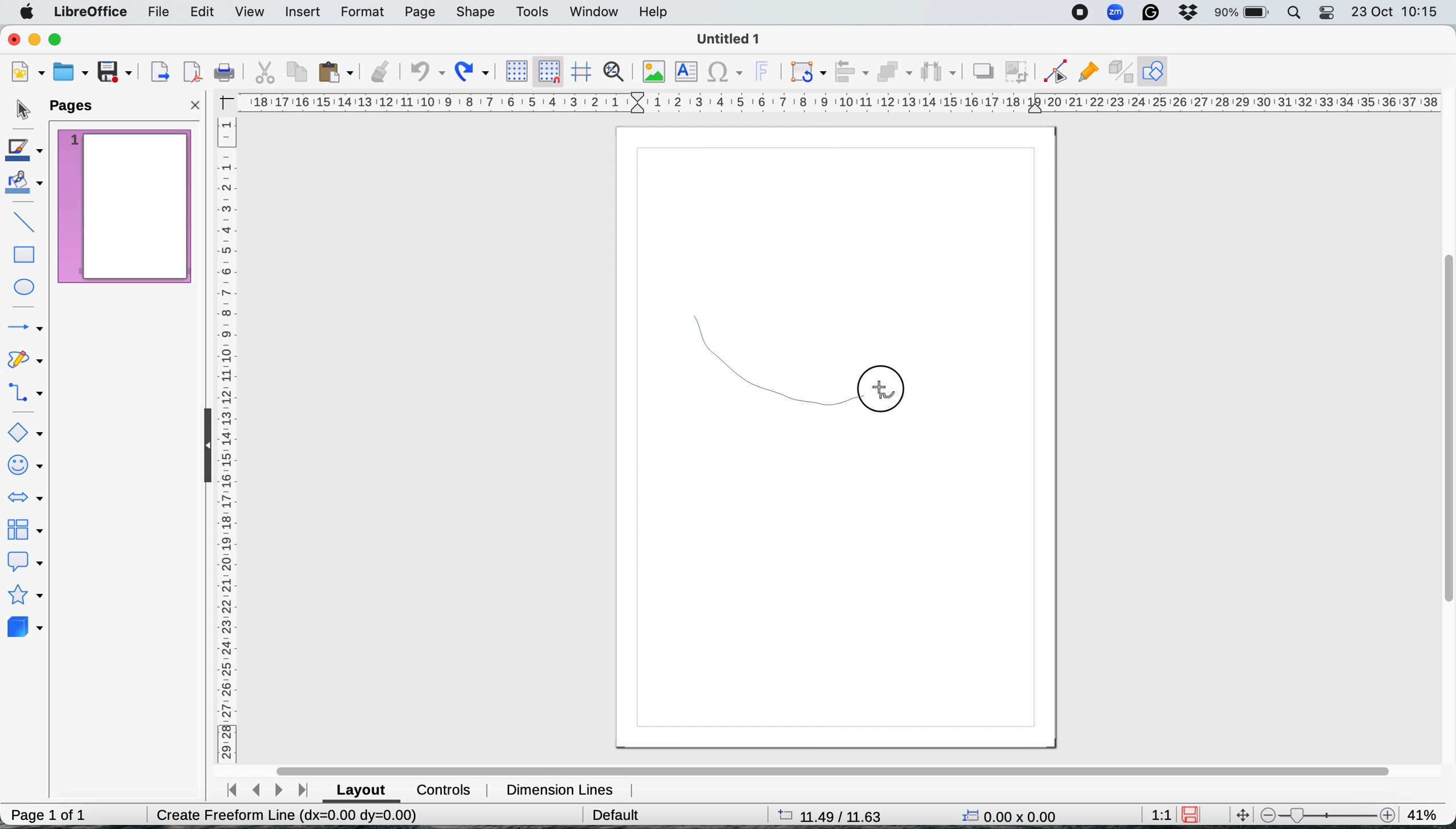 The width and height of the screenshot is (1456, 829). What do you see at coordinates (21, 108) in the screenshot?
I see `selection tool` at bounding box center [21, 108].